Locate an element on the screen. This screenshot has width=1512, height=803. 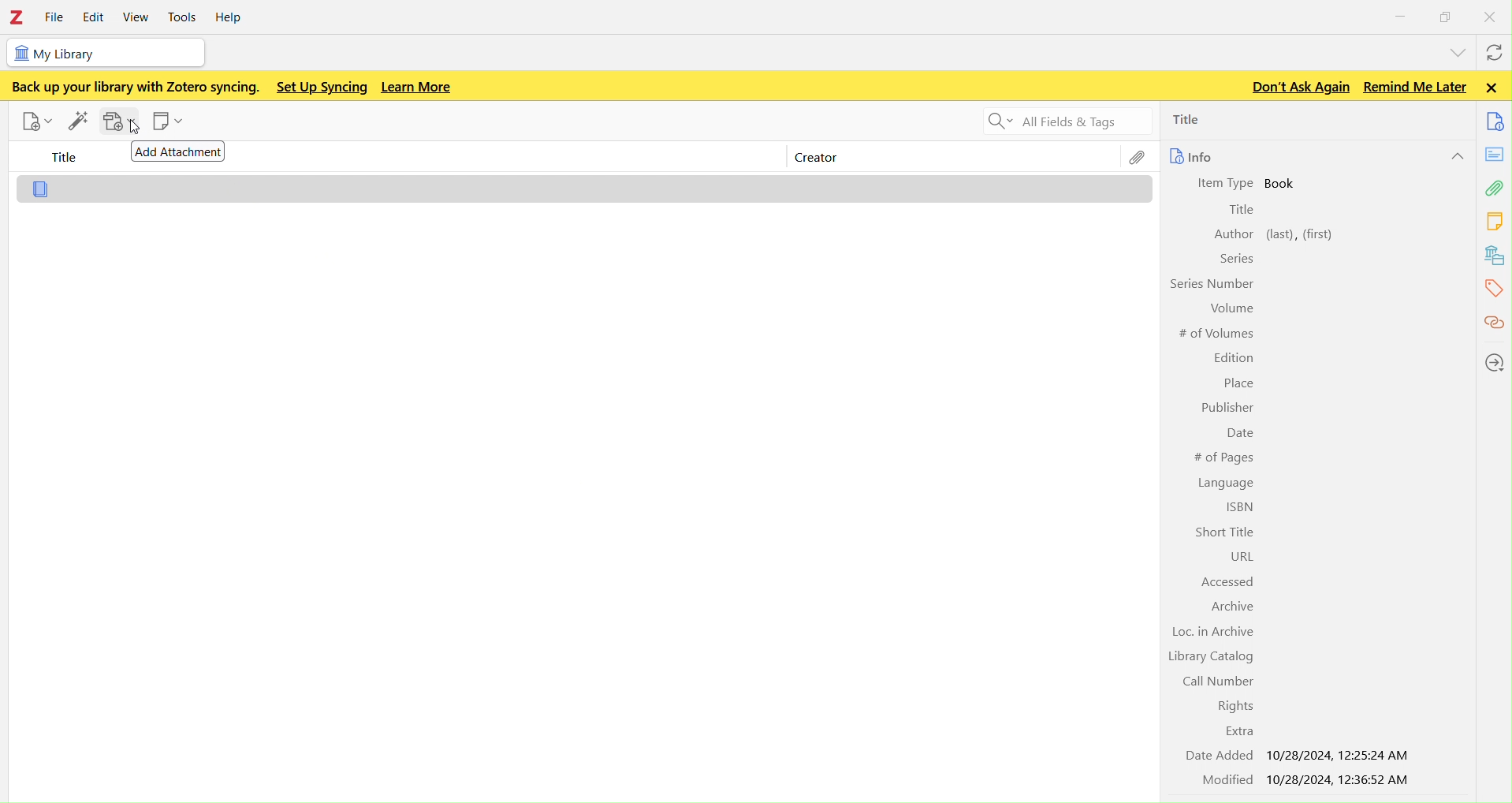
Title is located at coordinates (1242, 210).